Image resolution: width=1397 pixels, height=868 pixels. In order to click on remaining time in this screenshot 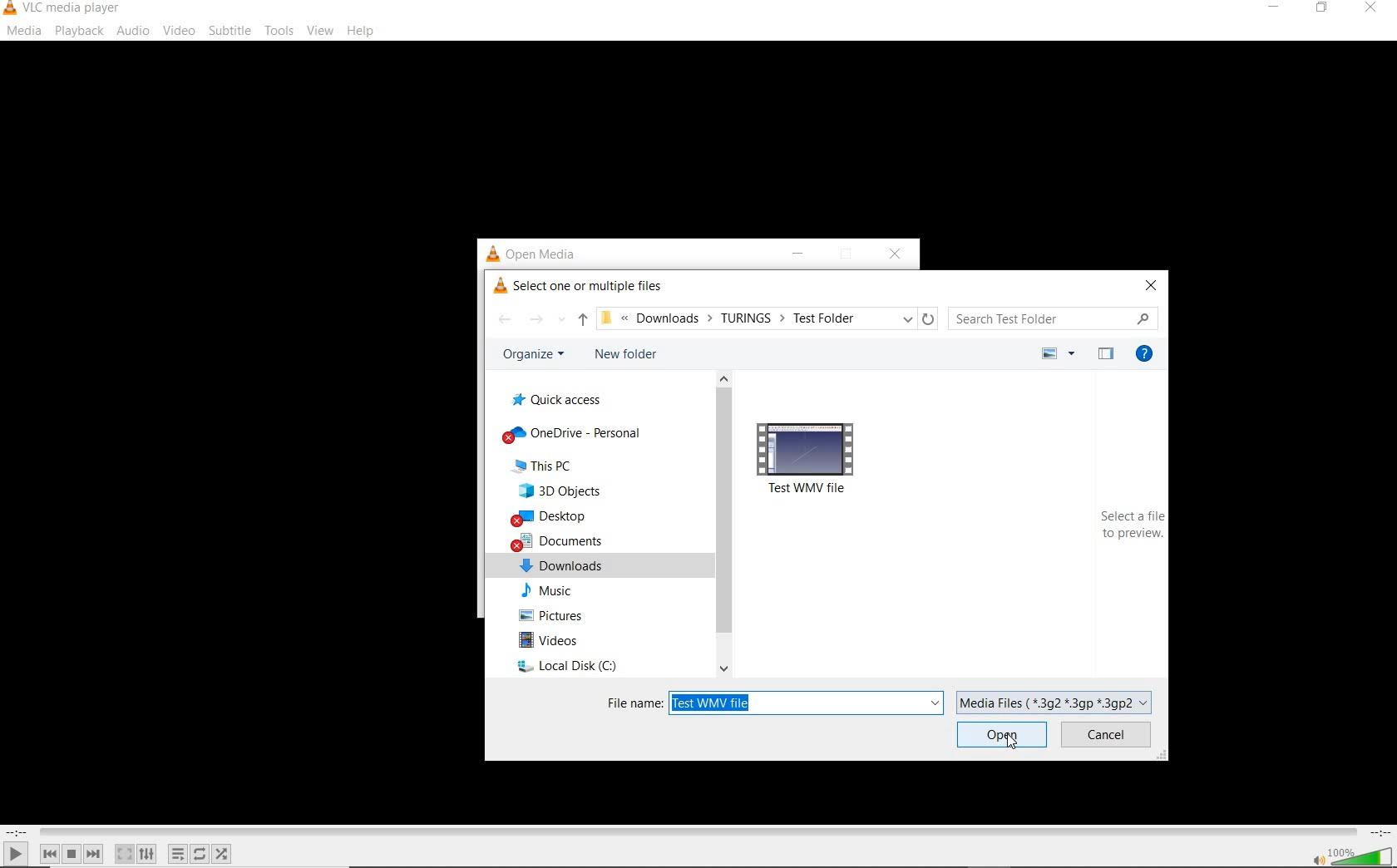, I will do `click(1379, 832)`.